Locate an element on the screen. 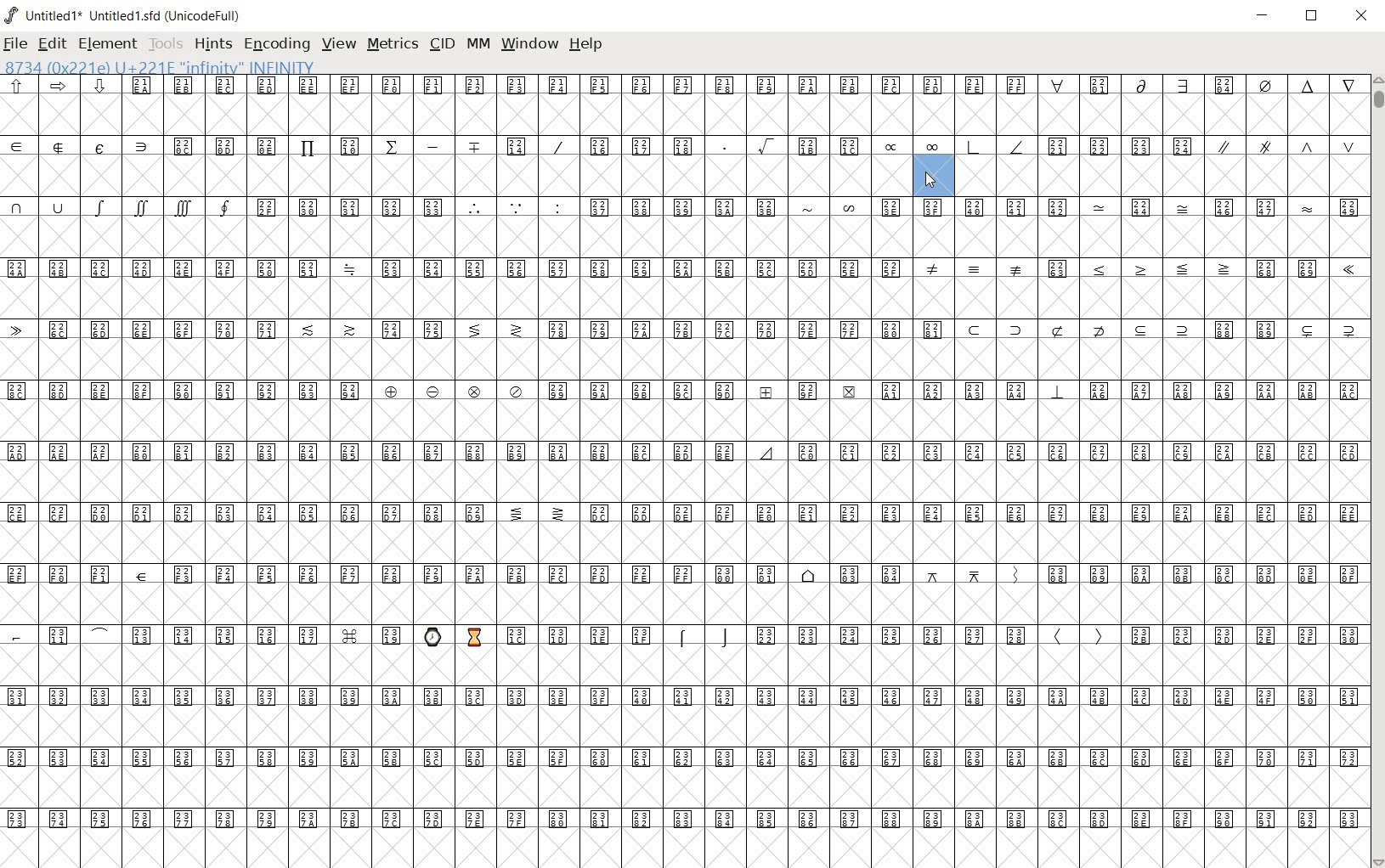 The image size is (1385, 868). symbols is located at coordinates (831, 206).